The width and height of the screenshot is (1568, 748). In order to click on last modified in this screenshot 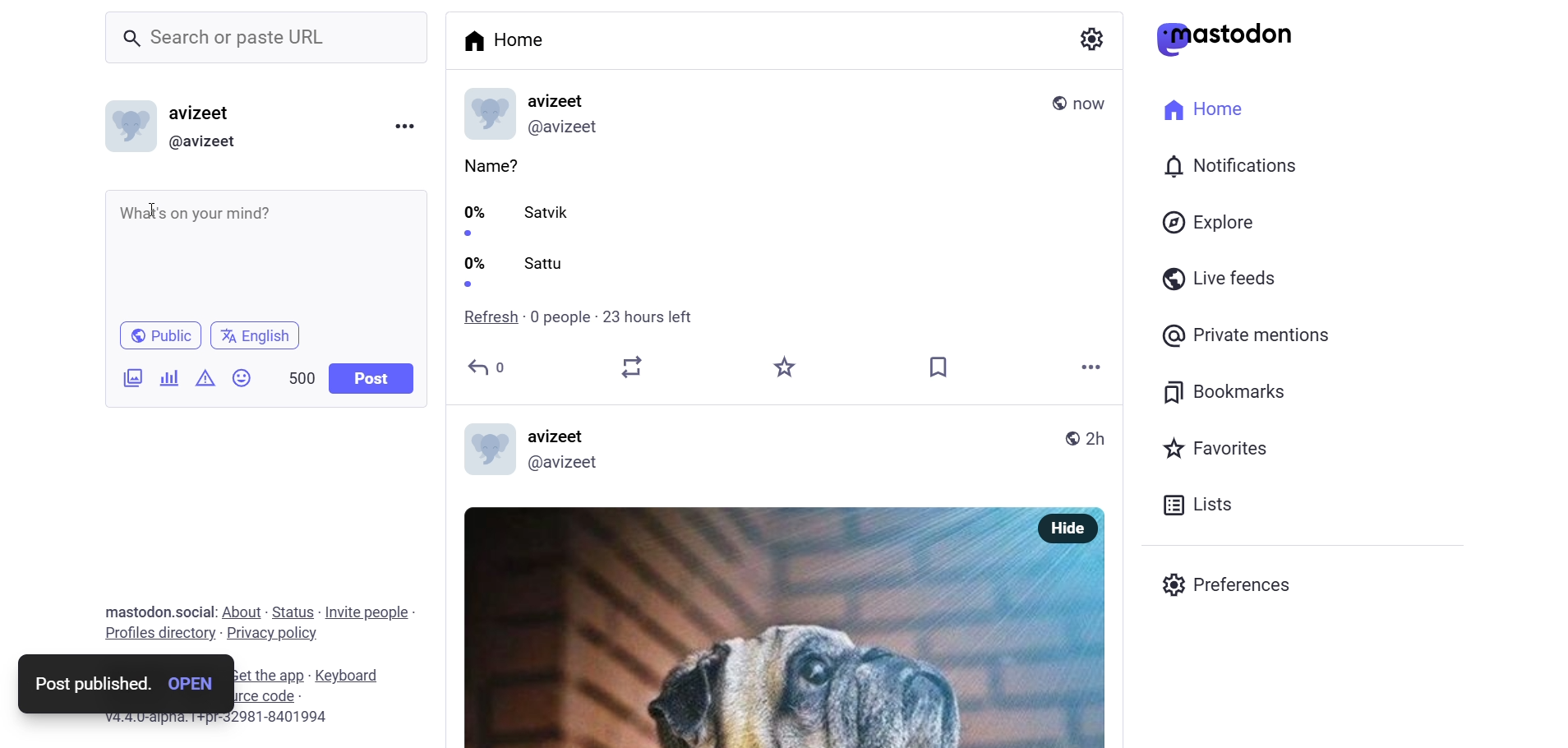, I will do `click(1091, 104)`.